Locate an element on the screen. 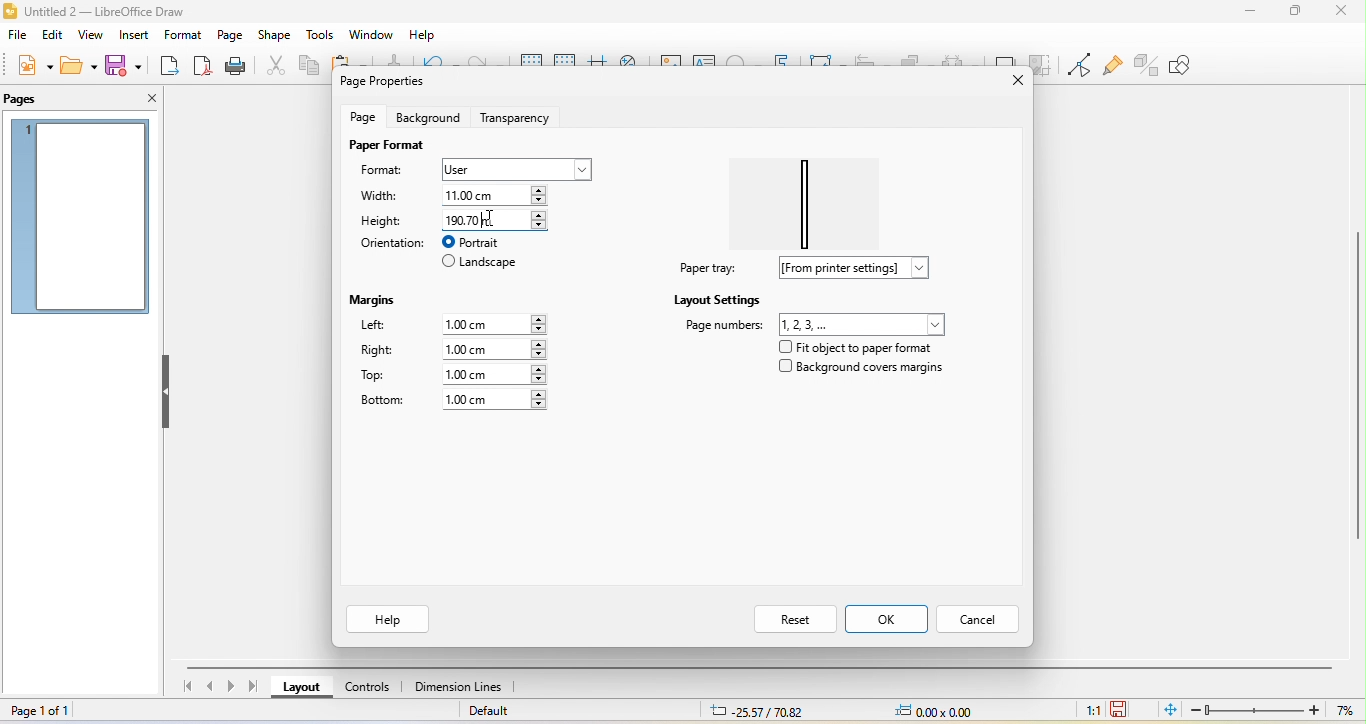 This screenshot has height=724, width=1366. ok is located at coordinates (888, 619).